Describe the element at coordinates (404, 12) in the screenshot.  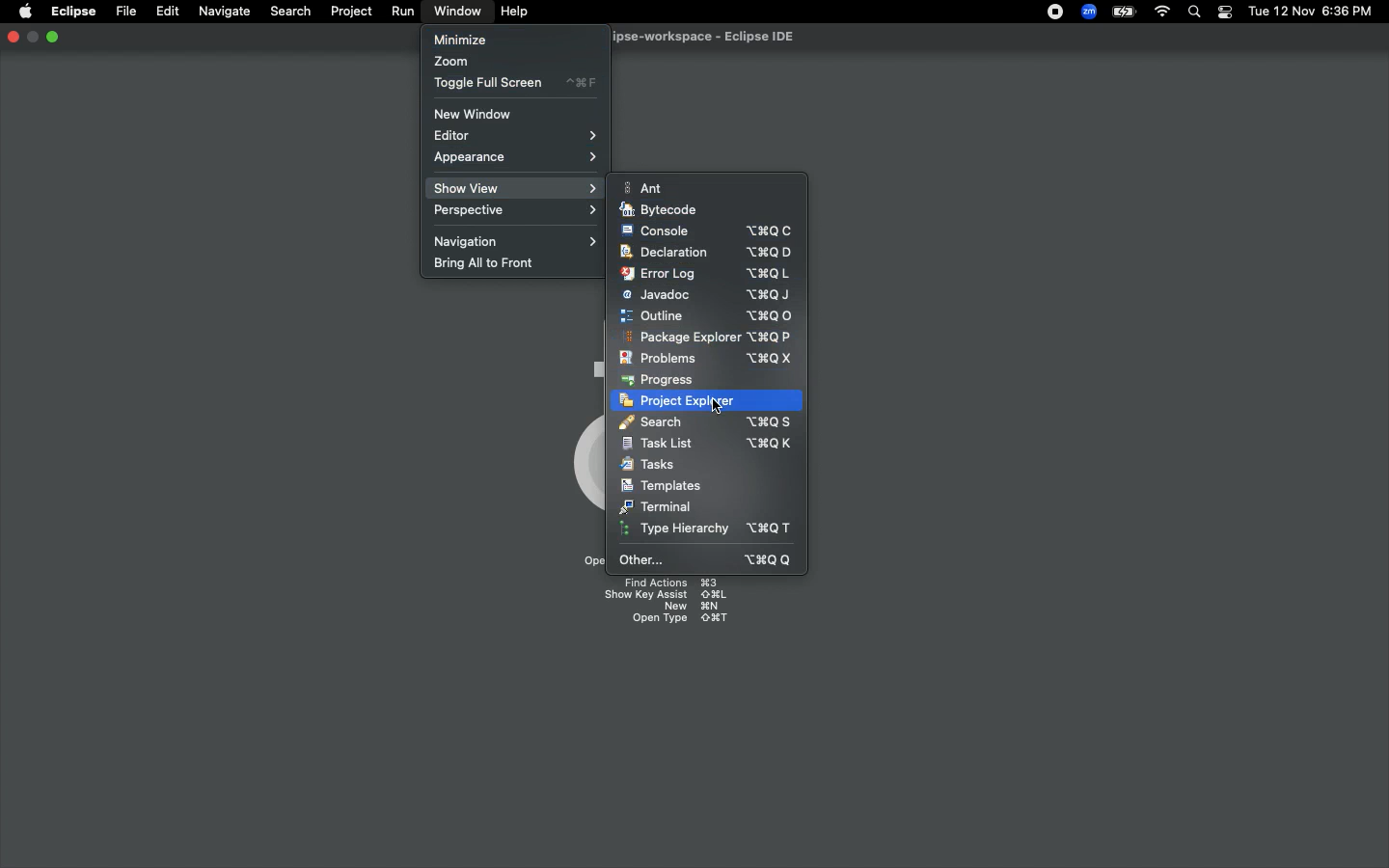
I see `Run` at that location.